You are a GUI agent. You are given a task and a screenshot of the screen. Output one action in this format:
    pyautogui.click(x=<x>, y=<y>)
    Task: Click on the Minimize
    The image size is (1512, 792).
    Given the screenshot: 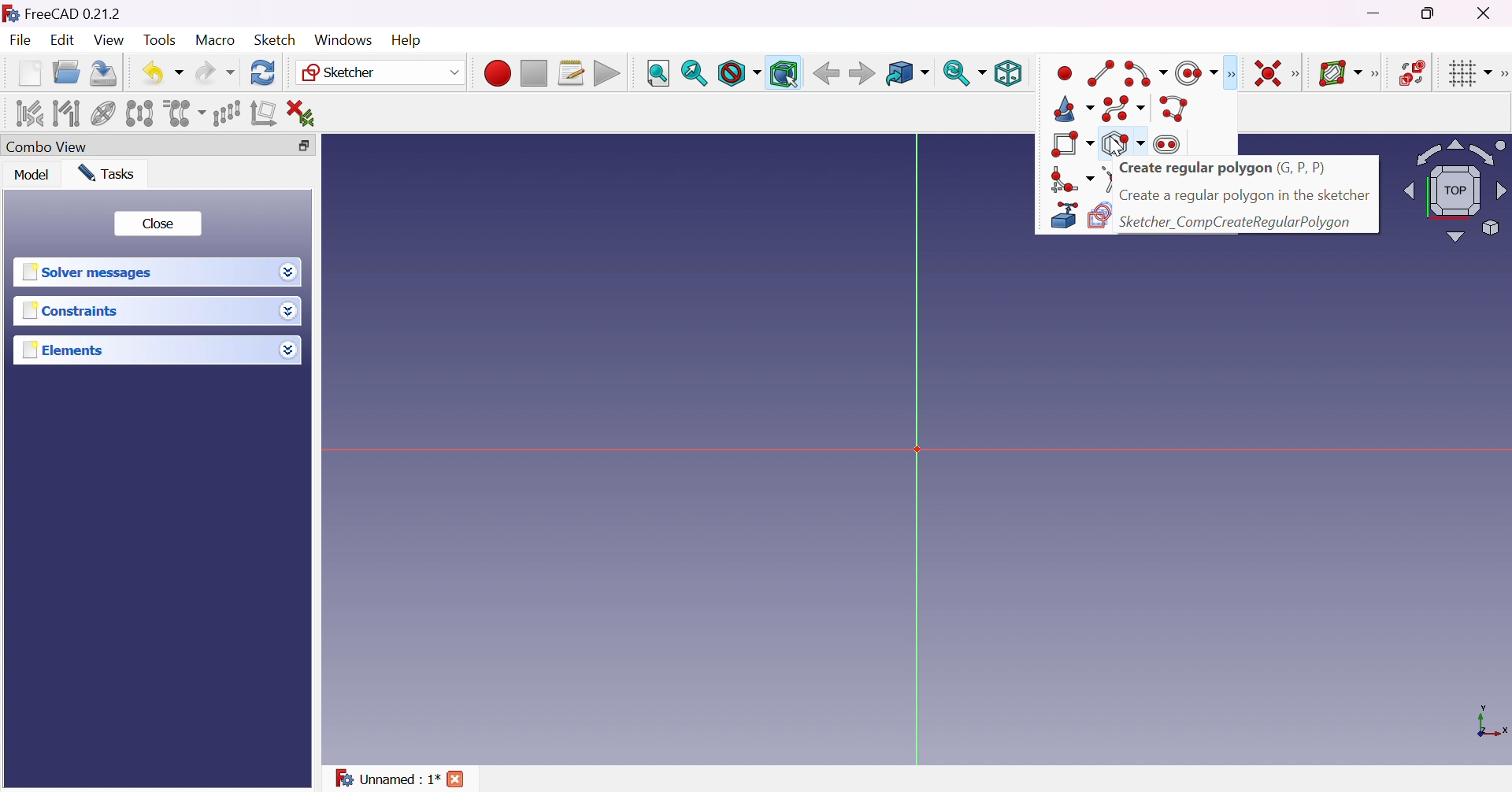 What is the action you would take?
    pyautogui.click(x=1376, y=13)
    